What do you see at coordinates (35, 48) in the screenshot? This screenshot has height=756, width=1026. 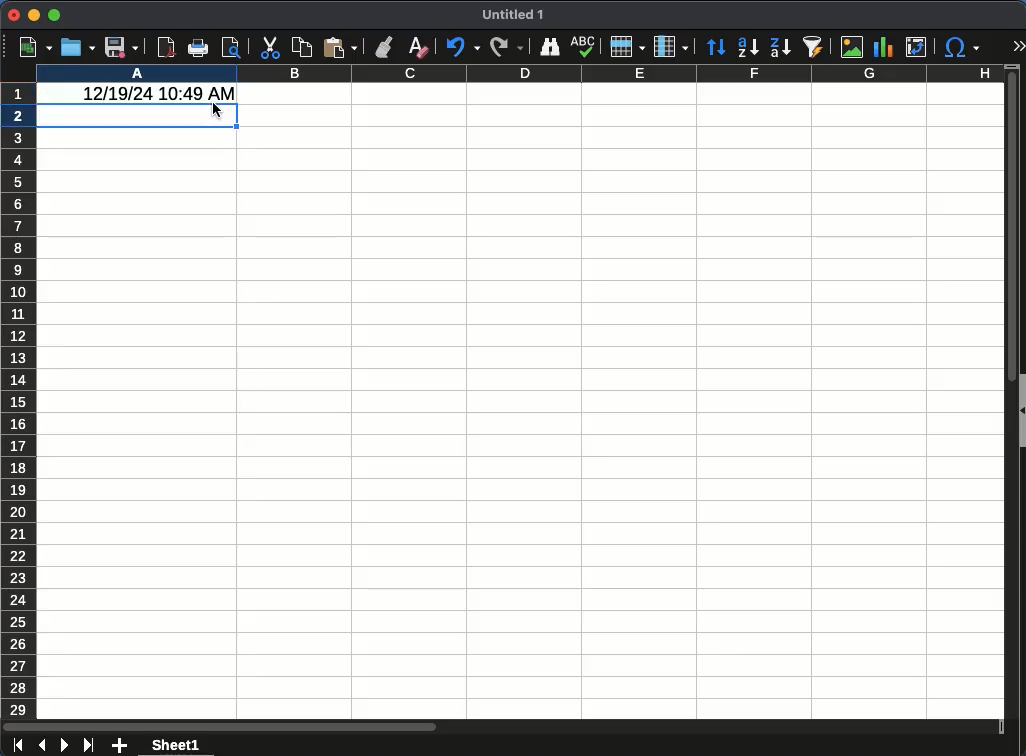 I see `new` at bounding box center [35, 48].